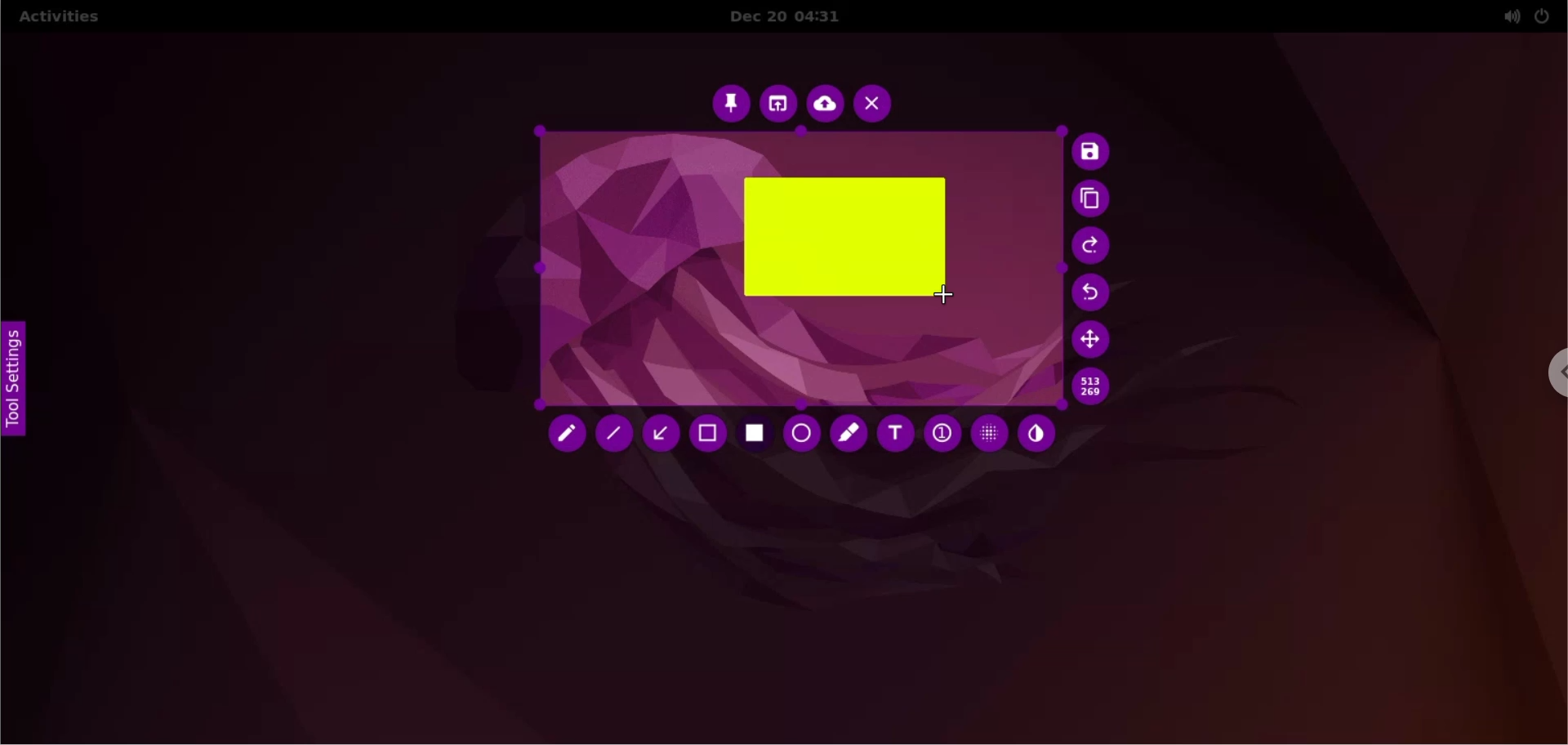 The height and width of the screenshot is (745, 1568). I want to click on x and y coordinate values, so click(1095, 389).